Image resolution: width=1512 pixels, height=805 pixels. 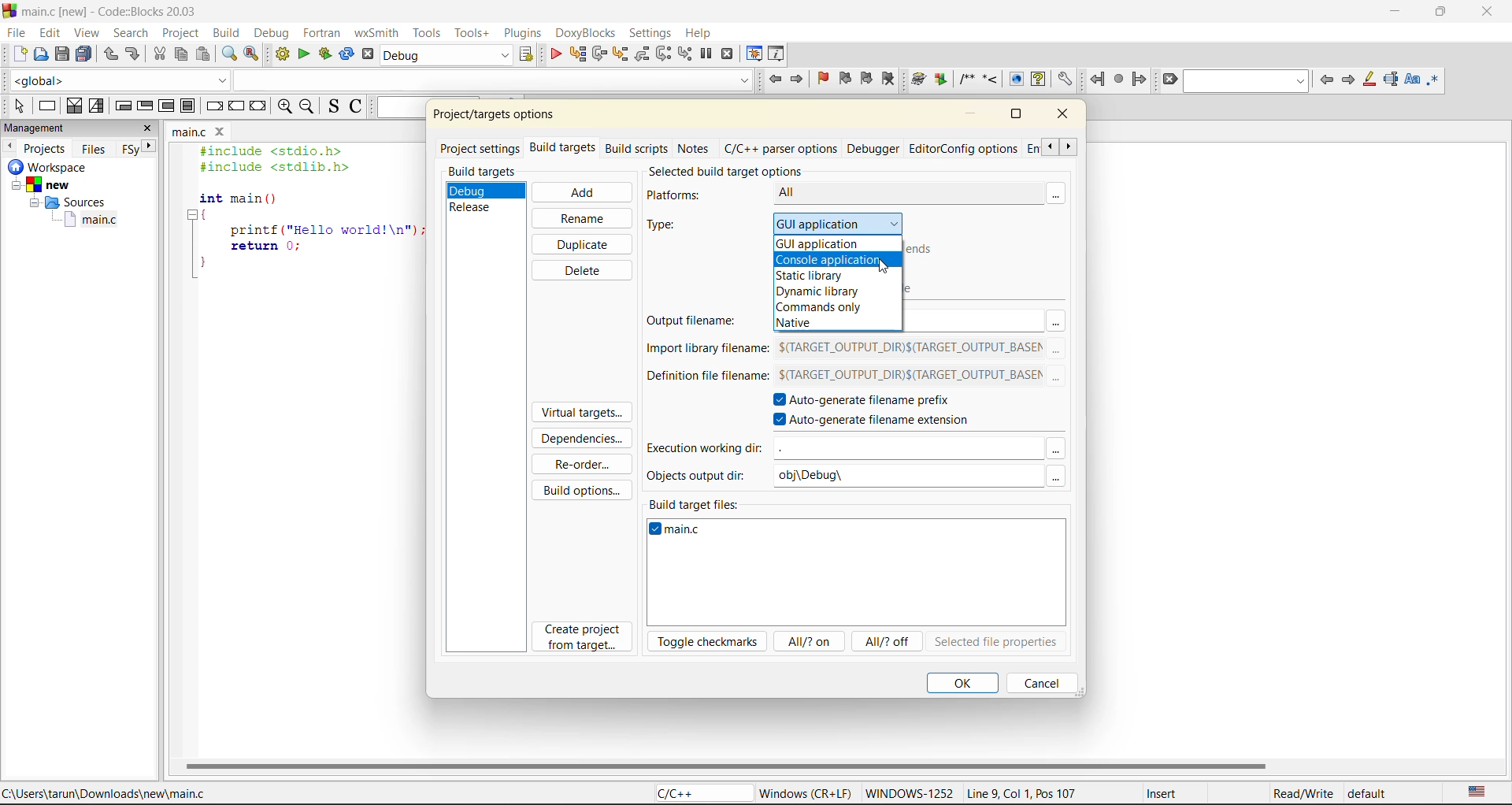 I want to click on next bookmark, so click(x=865, y=77).